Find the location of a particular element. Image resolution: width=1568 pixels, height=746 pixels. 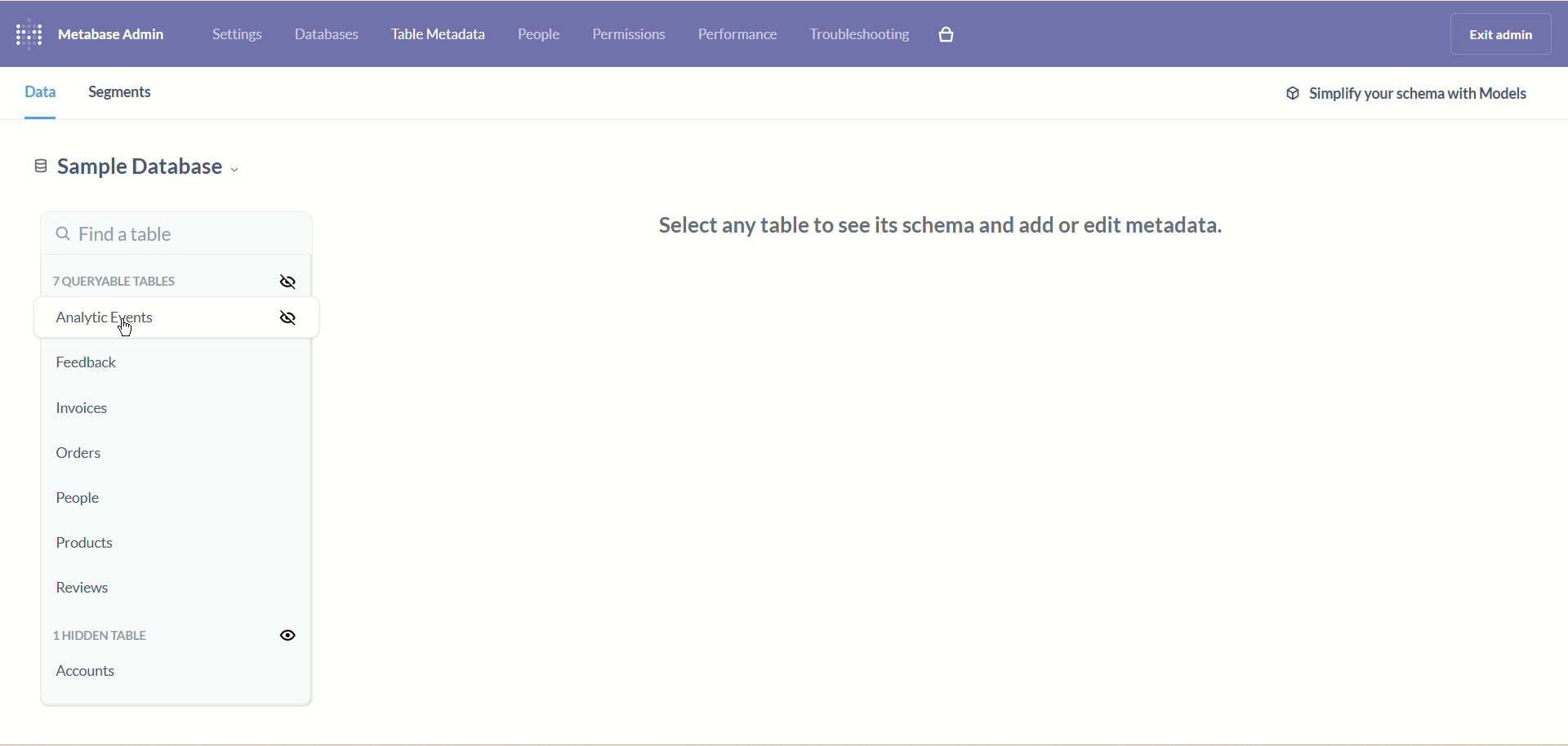

select any table to see its schema and add or edit metadata is located at coordinates (934, 225).